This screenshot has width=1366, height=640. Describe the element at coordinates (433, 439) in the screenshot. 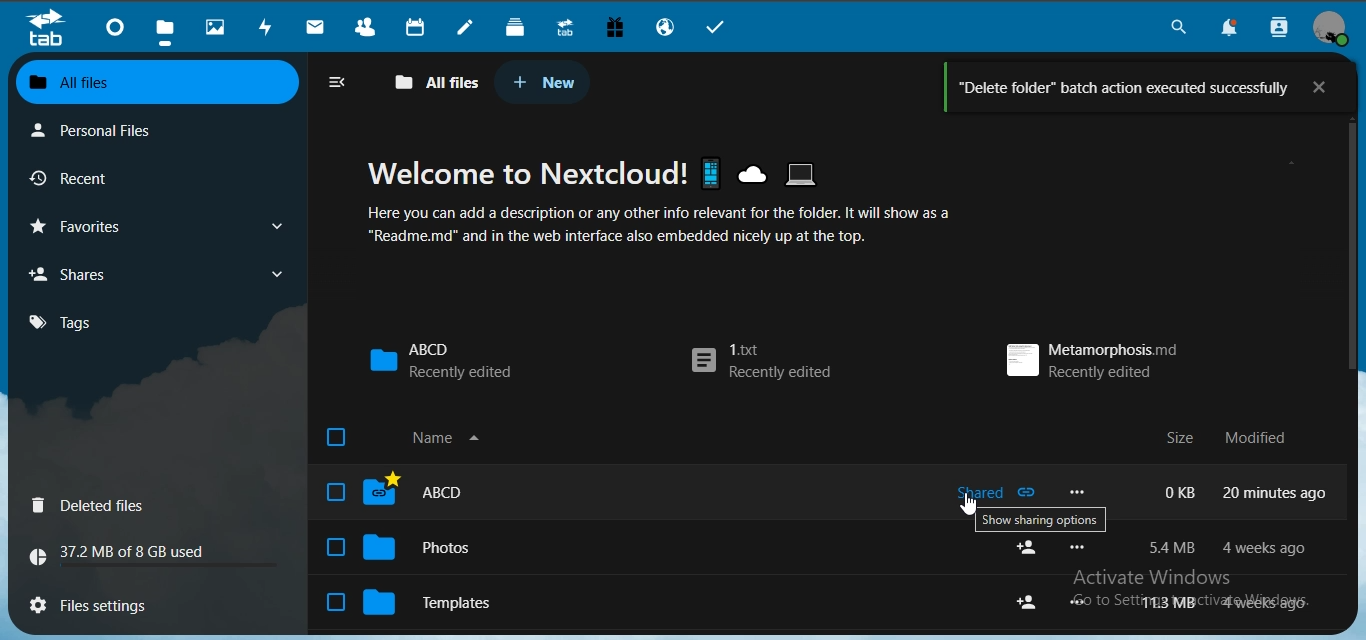

I see `text` at that location.